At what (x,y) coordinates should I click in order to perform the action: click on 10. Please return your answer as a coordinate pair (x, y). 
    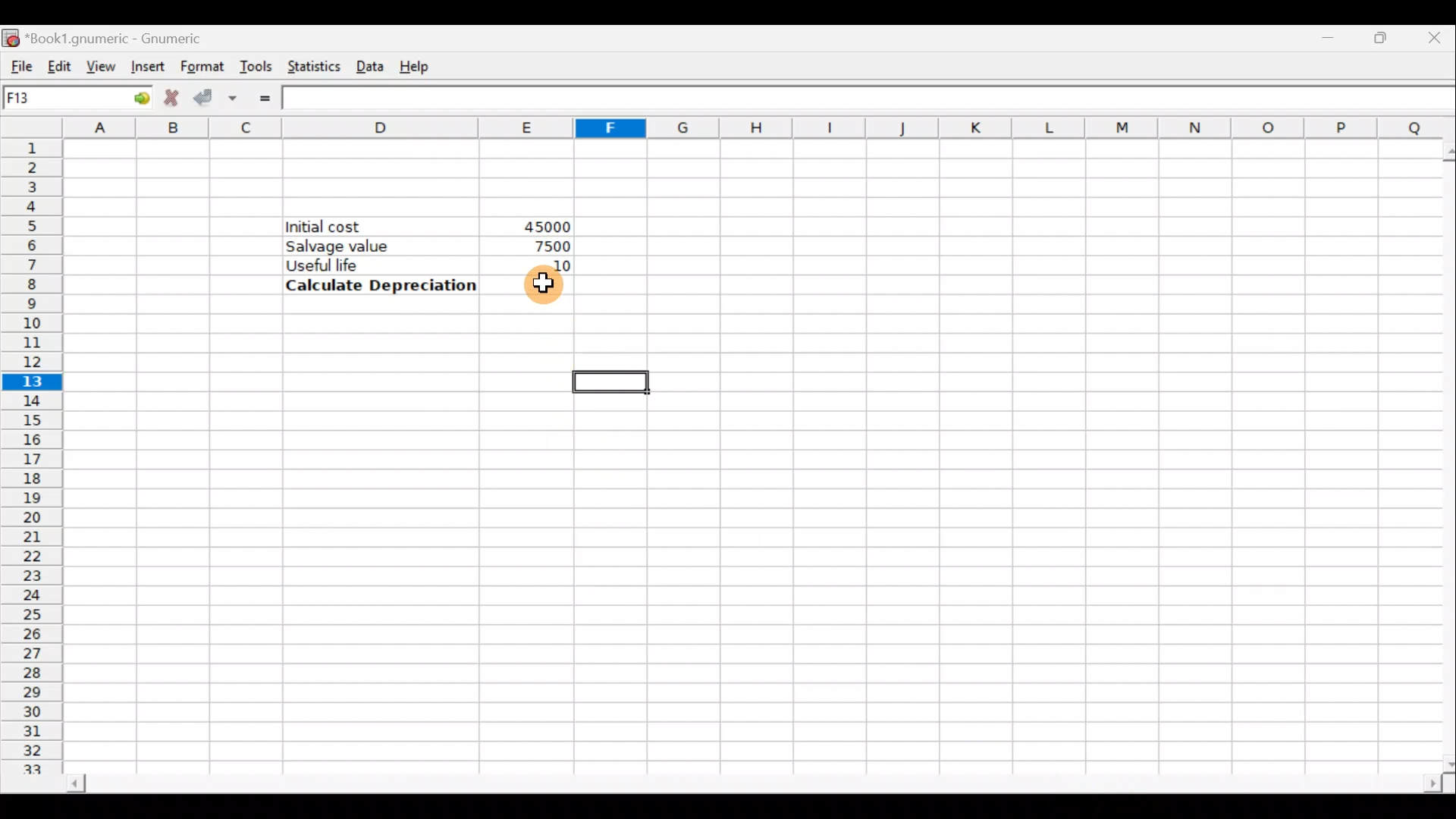
    Looking at the image, I should click on (557, 264).